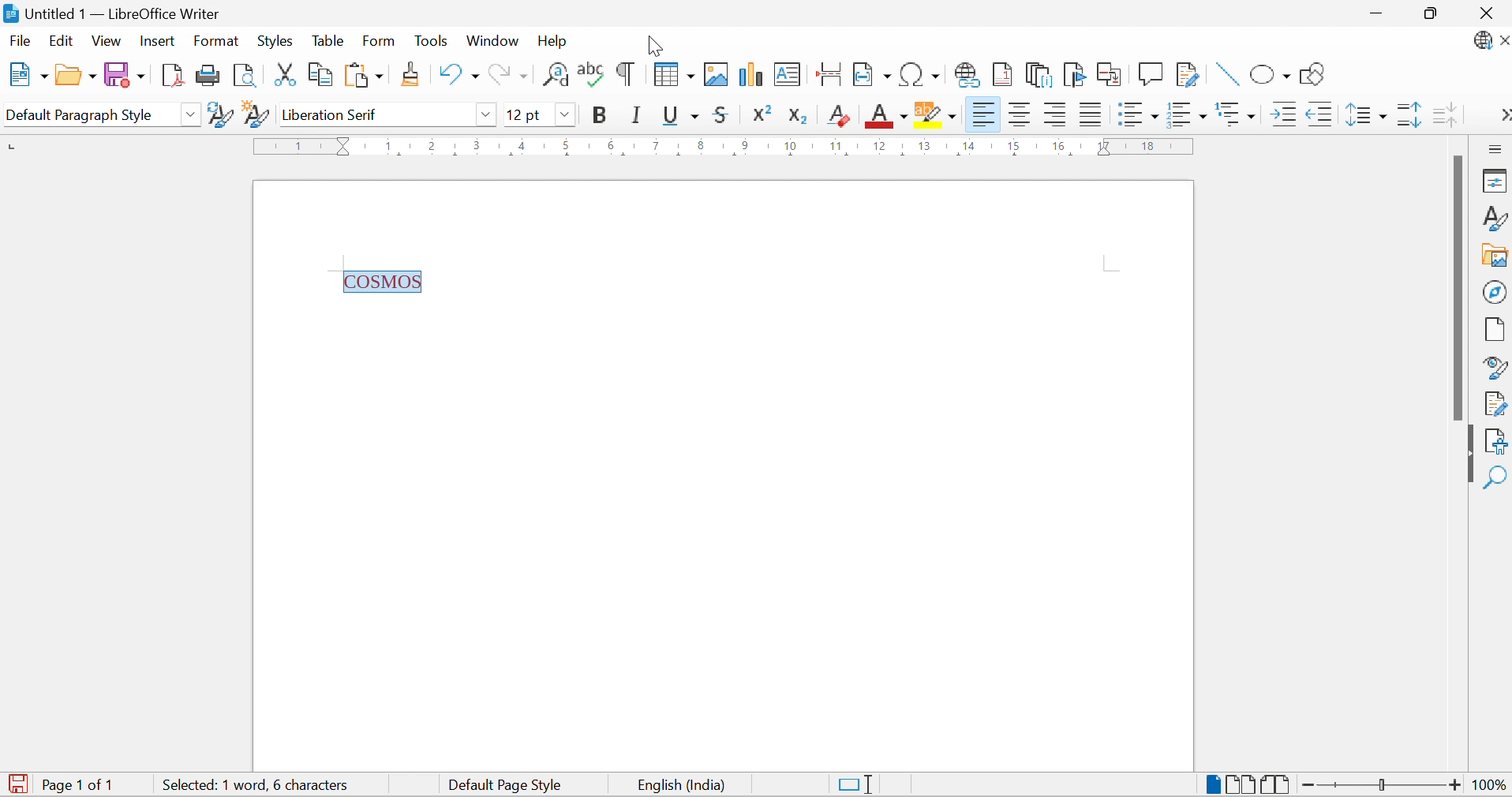 This screenshot has height=797, width=1512. Describe the element at coordinates (478, 144) in the screenshot. I see `3` at that location.